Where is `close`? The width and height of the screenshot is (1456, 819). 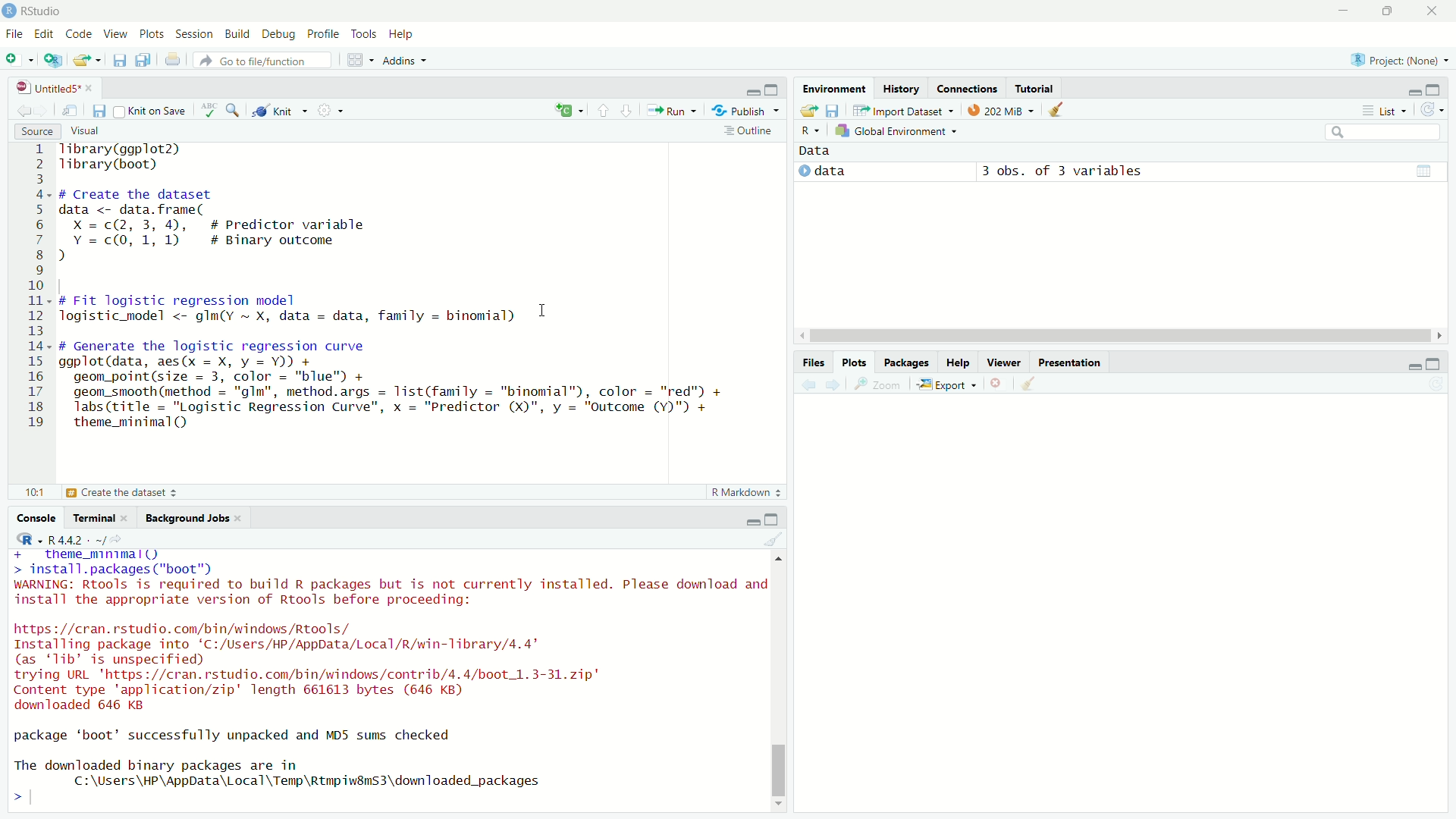
close is located at coordinates (89, 89).